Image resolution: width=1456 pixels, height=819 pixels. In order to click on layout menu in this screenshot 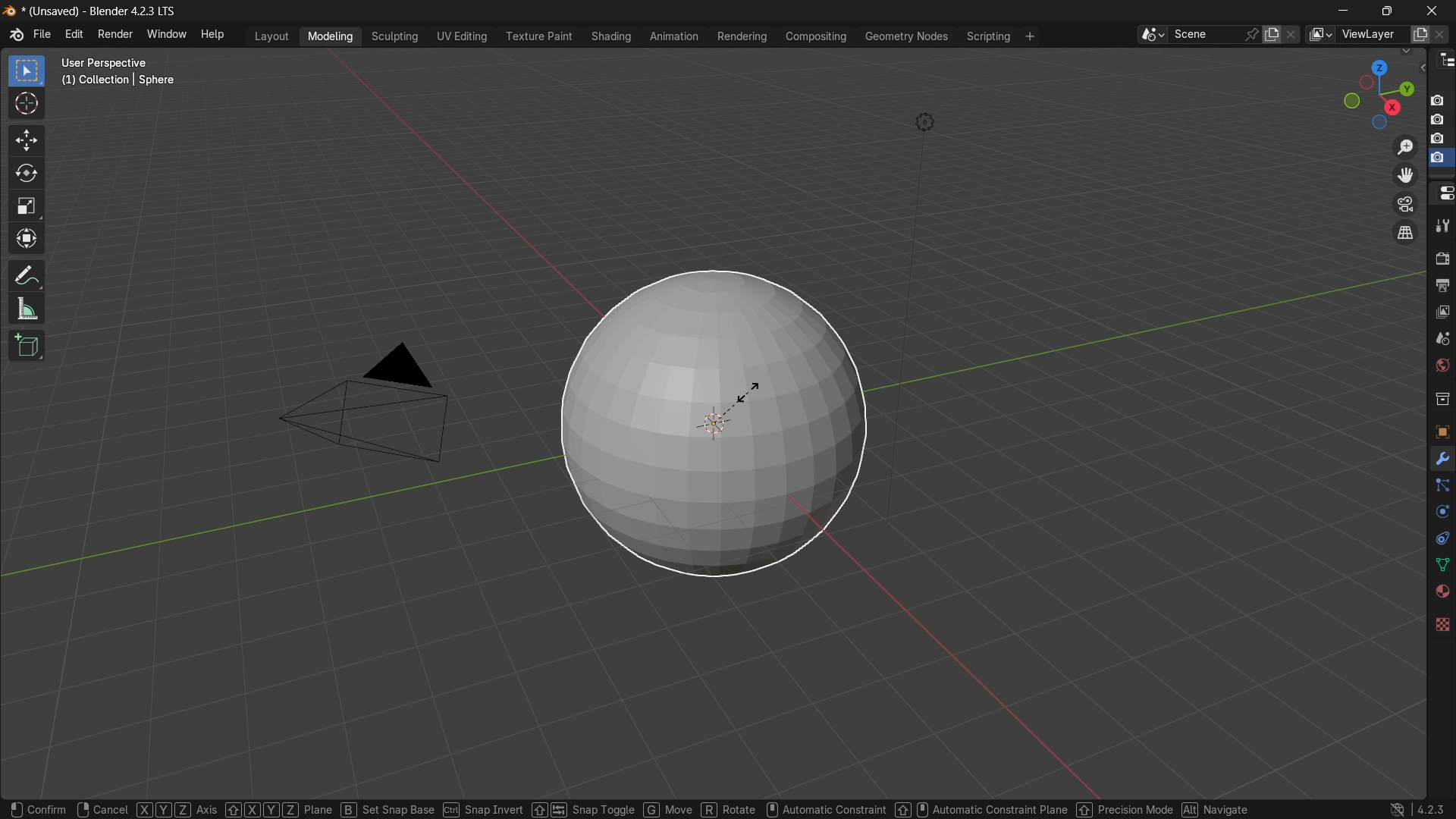, I will do `click(271, 36)`.